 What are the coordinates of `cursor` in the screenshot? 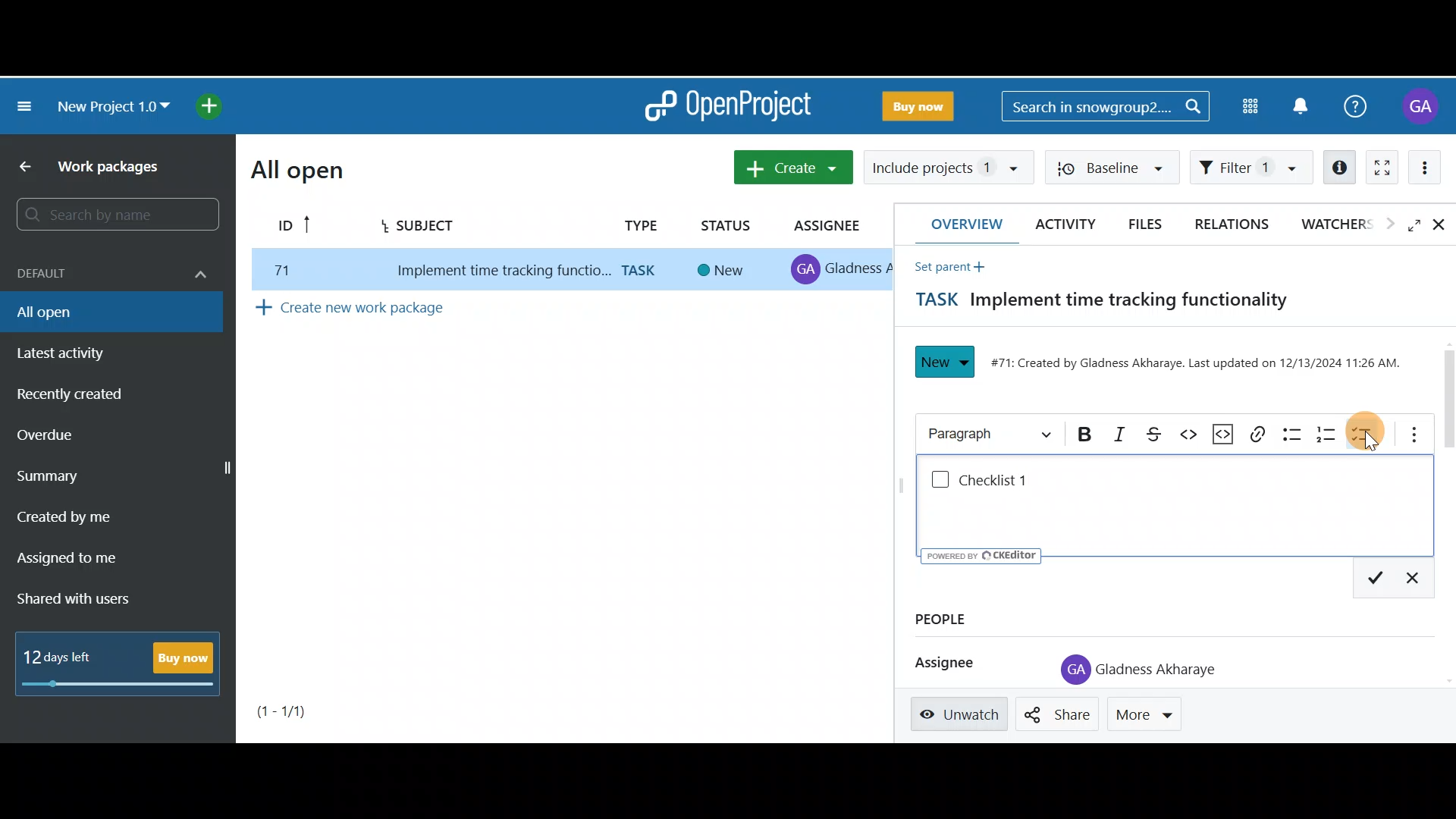 It's located at (1372, 441).